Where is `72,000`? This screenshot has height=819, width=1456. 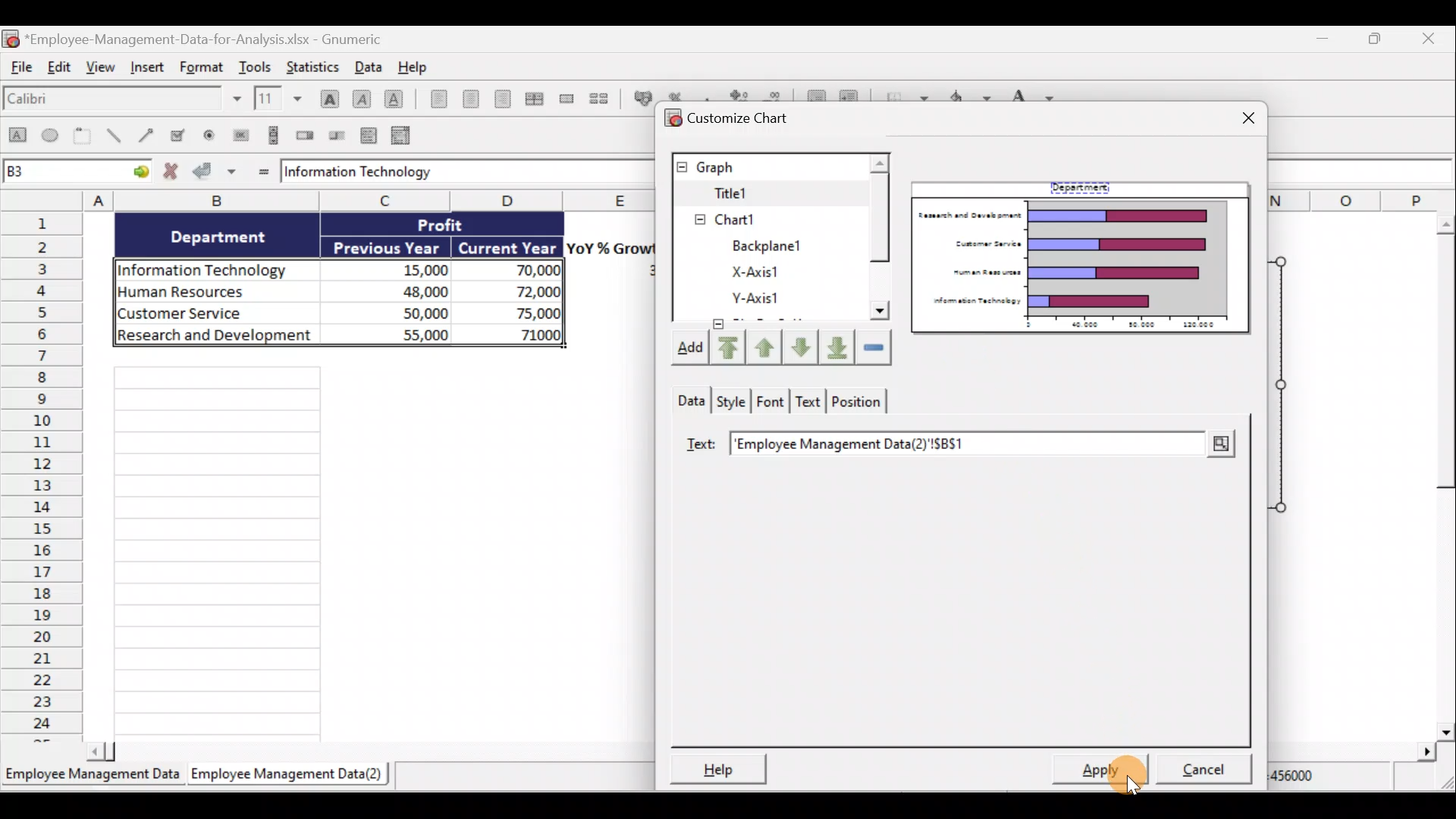 72,000 is located at coordinates (525, 293).